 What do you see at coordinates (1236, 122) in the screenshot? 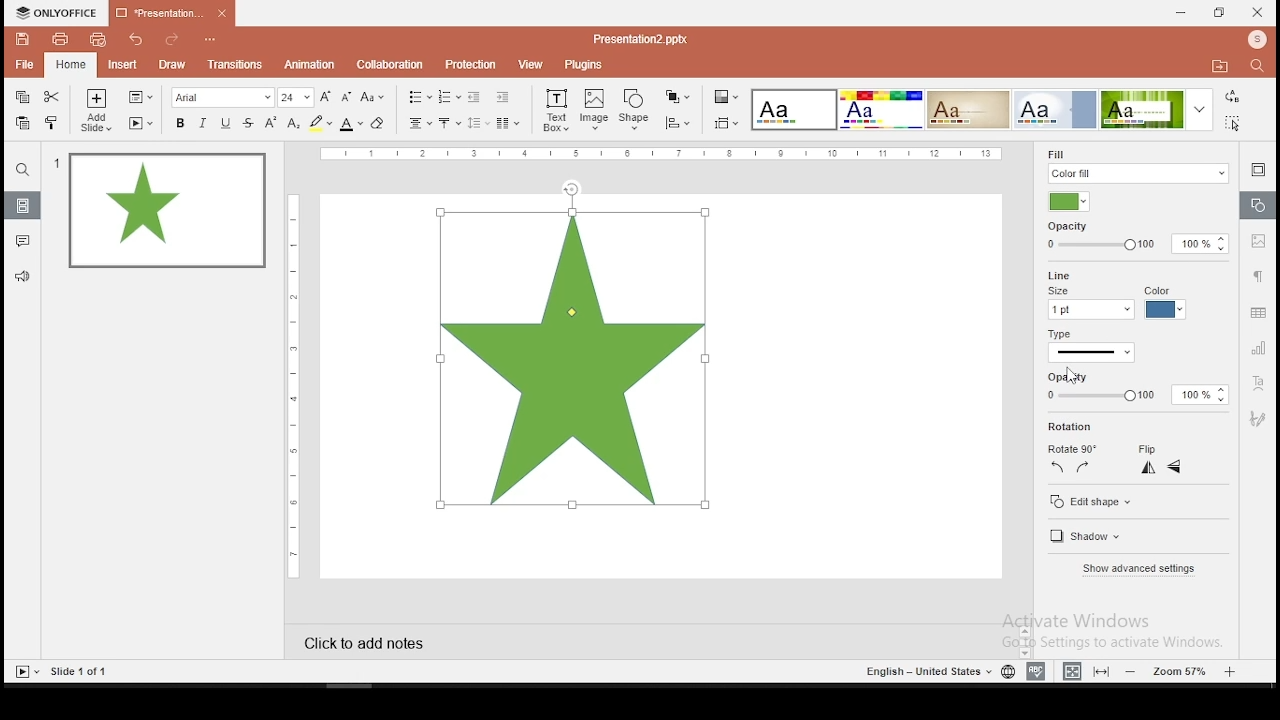
I see `select all` at bounding box center [1236, 122].